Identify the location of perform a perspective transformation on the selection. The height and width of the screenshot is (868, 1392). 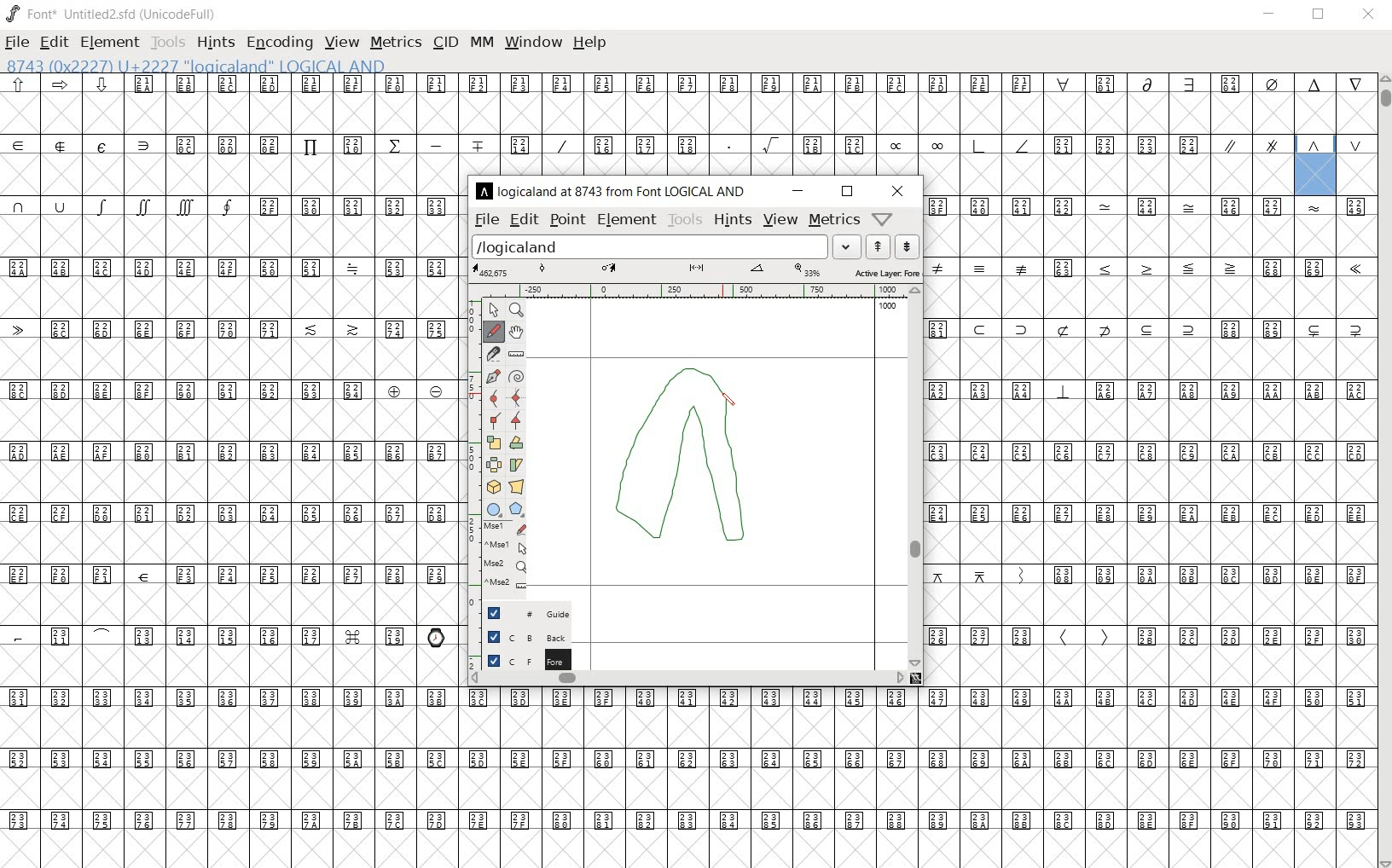
(515, 486).